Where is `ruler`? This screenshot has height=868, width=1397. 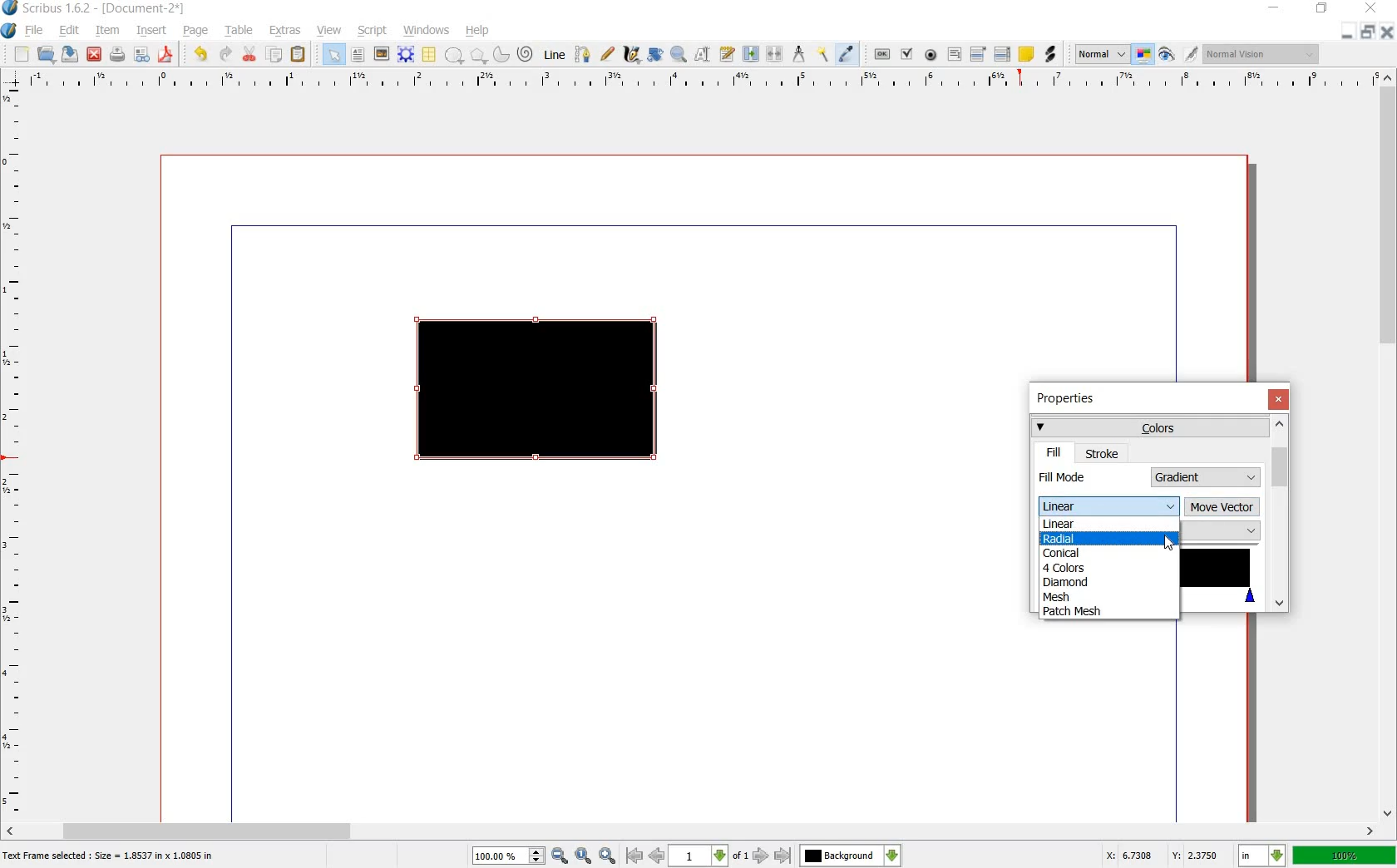
ruler is located at coordinates (14, 452).